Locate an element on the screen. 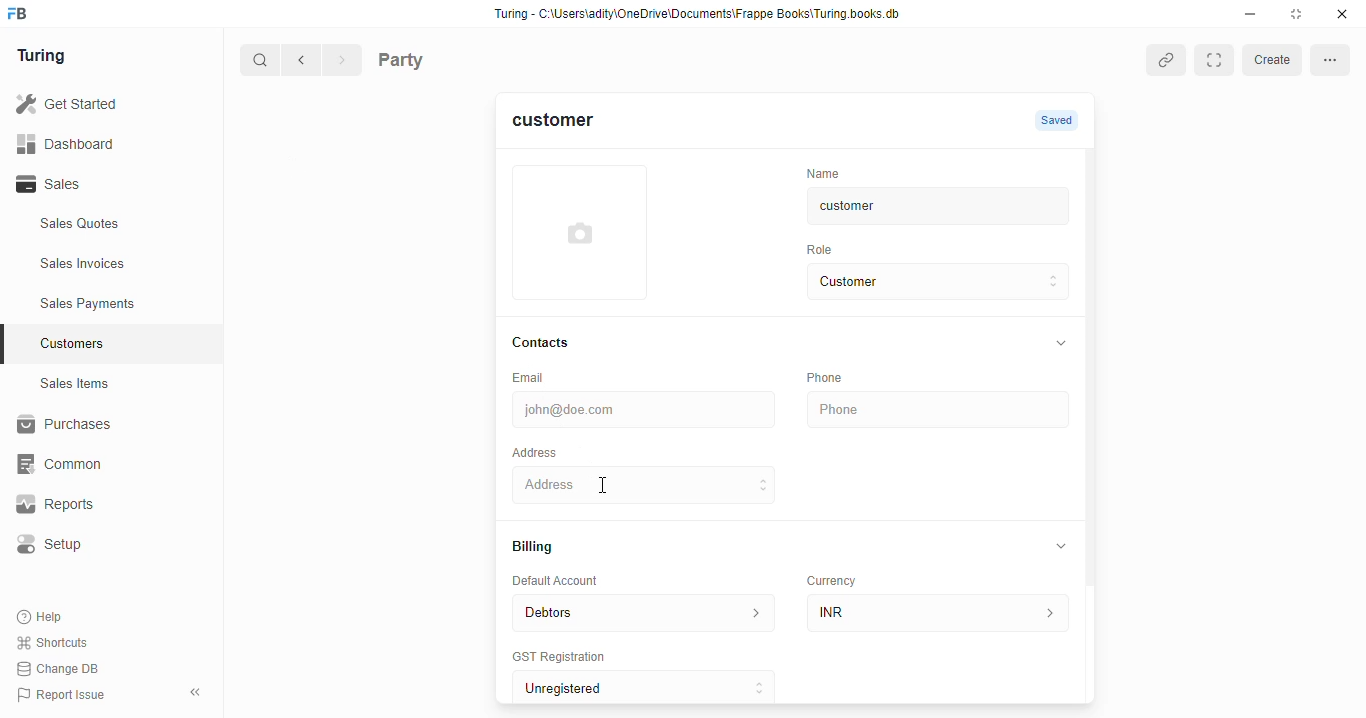  collapse is located at coordinates (1059, 344).